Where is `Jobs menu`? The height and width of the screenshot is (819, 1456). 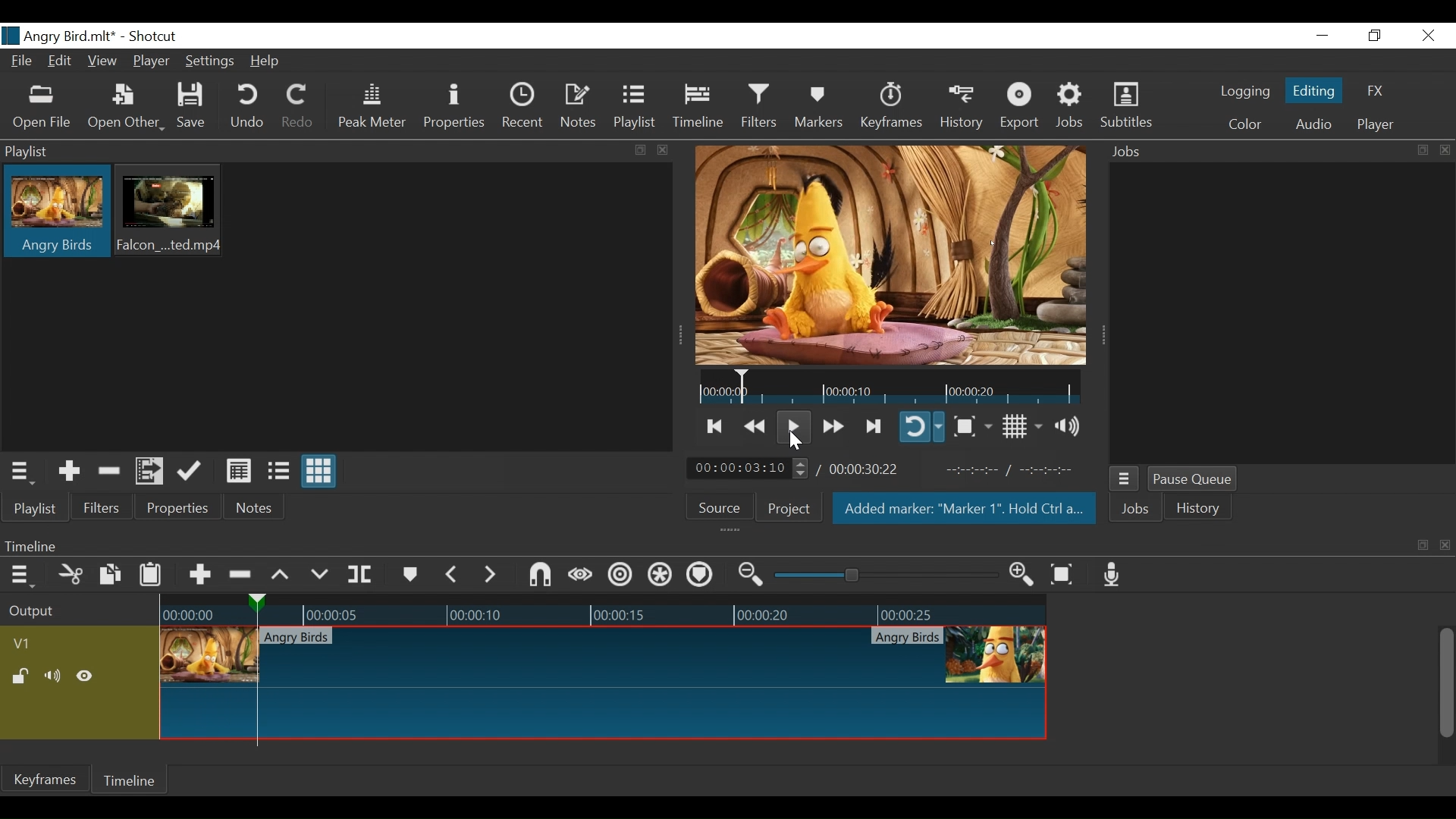
Jobs menu is located at coordinates (1126, 478).